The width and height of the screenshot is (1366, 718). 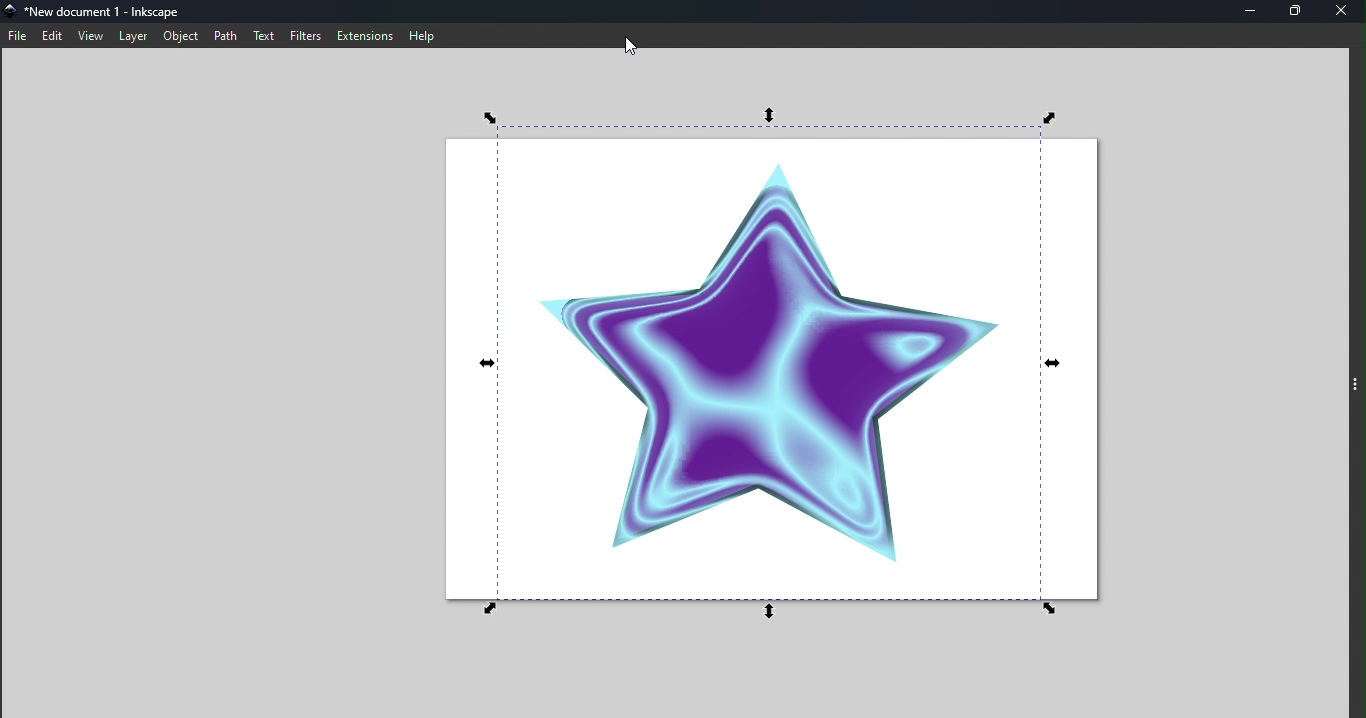 What do you see at coordinates (1300, 14) in the screenshot?
I see `Maximize` at bounding box center [1300, 14].